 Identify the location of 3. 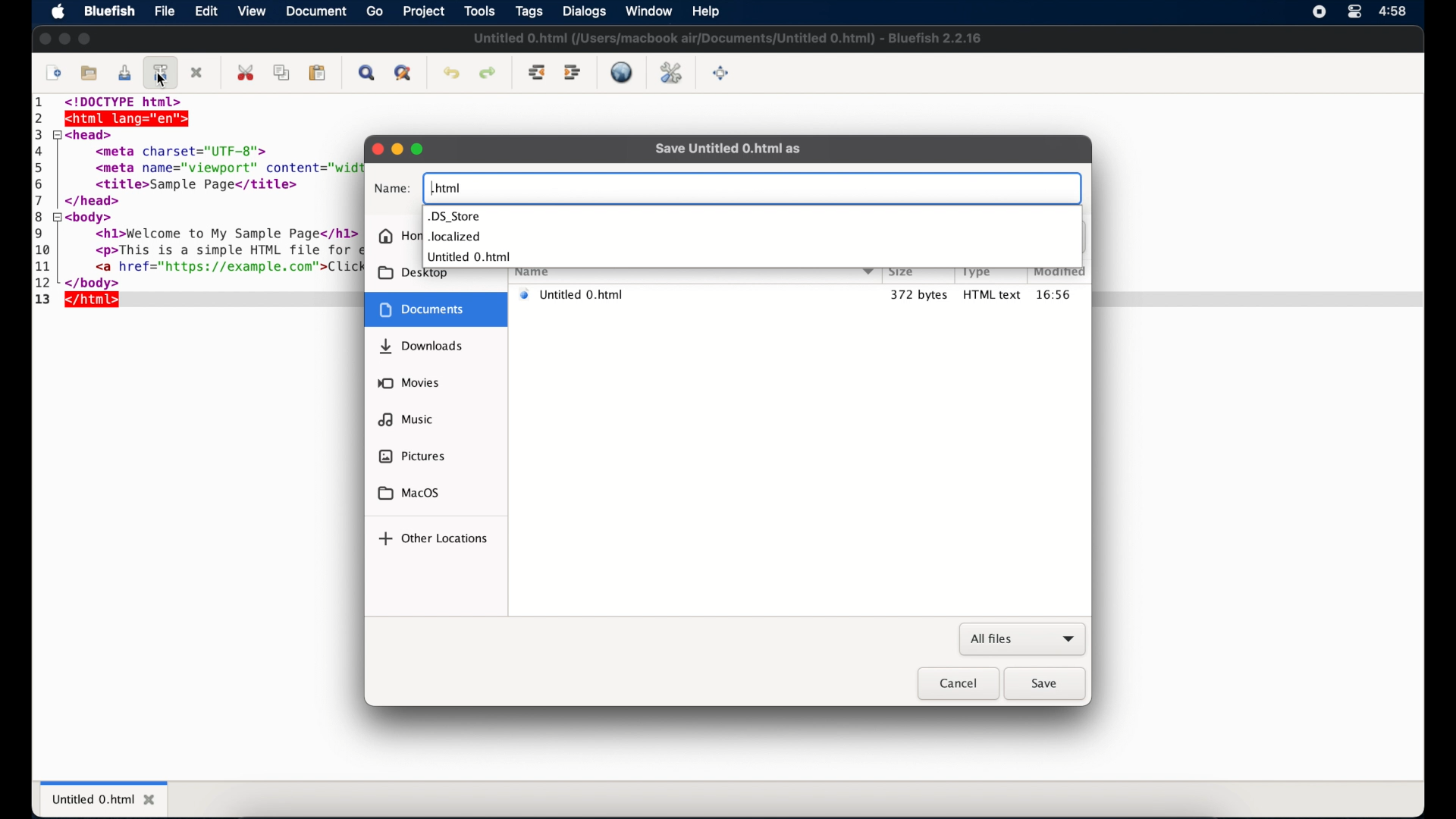
(38, 135).